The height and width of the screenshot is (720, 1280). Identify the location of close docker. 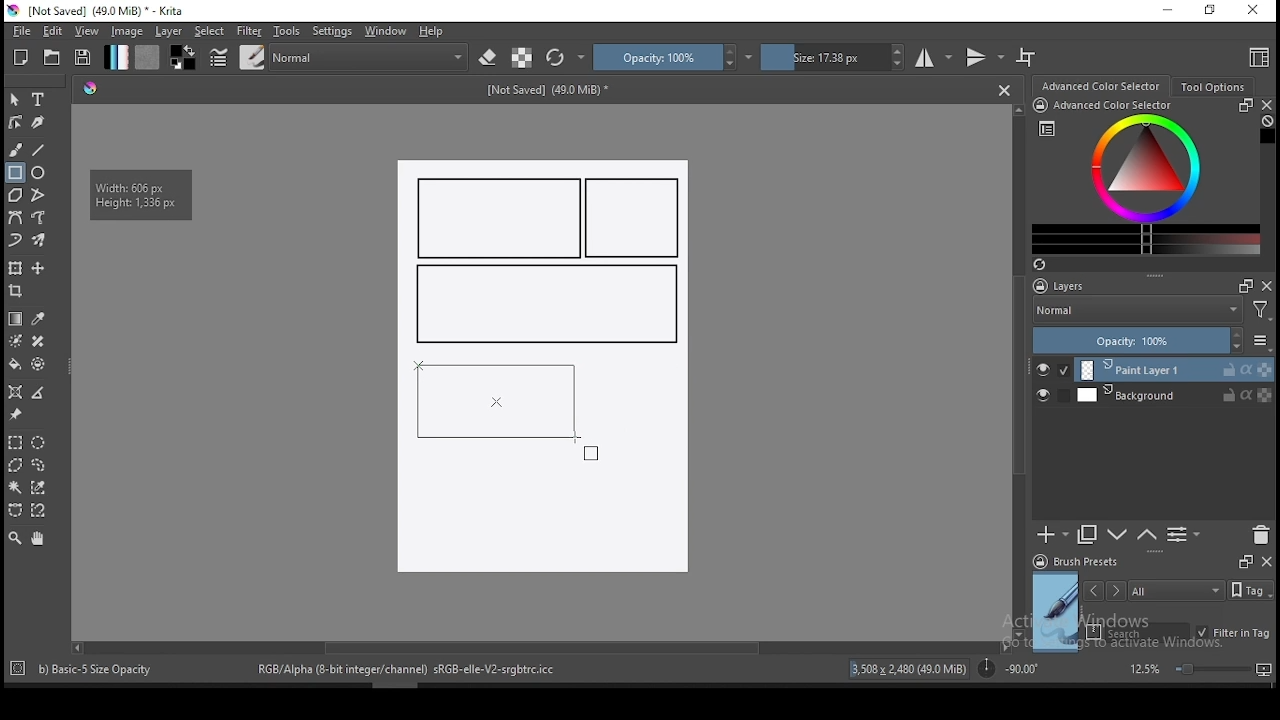
(1266, 105).